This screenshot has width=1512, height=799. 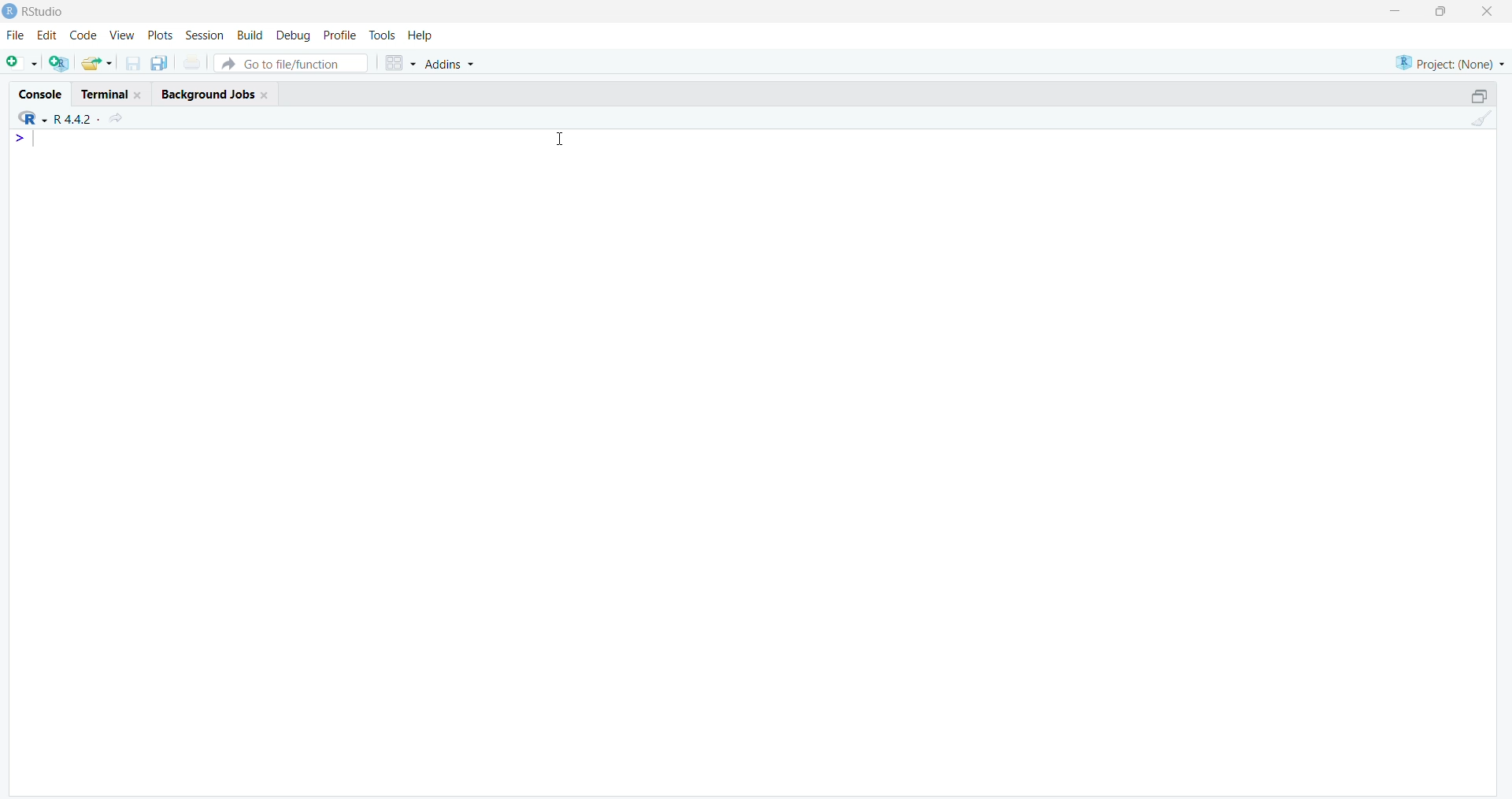 What do you see at coordinates (120, 117) in the screenshot?
I see `View the current working directory` at bounding box center [120, 117].